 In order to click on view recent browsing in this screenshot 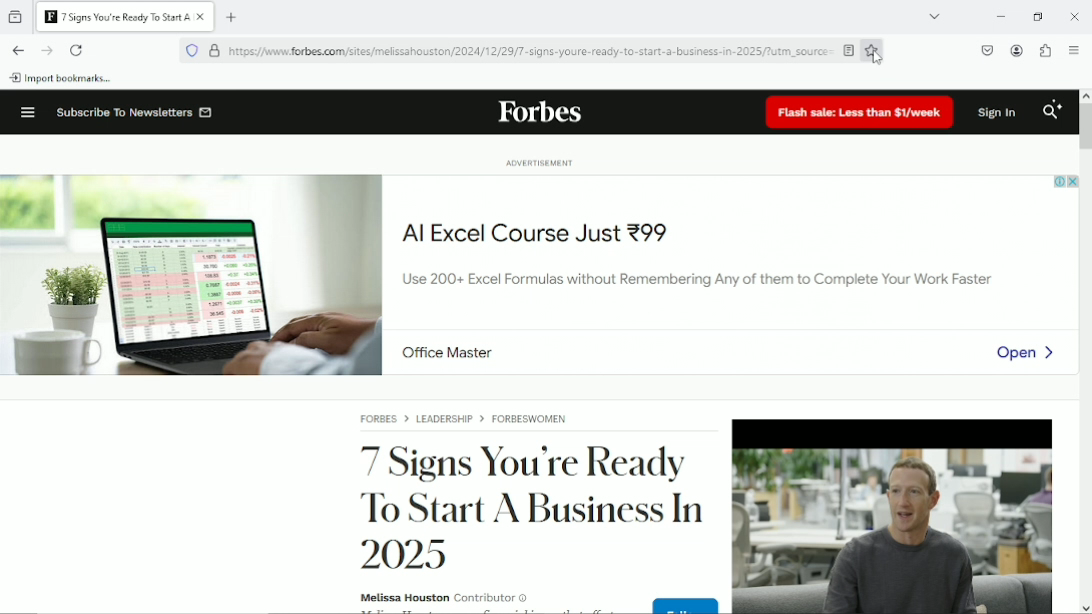, I will do `click(15, 16)`.